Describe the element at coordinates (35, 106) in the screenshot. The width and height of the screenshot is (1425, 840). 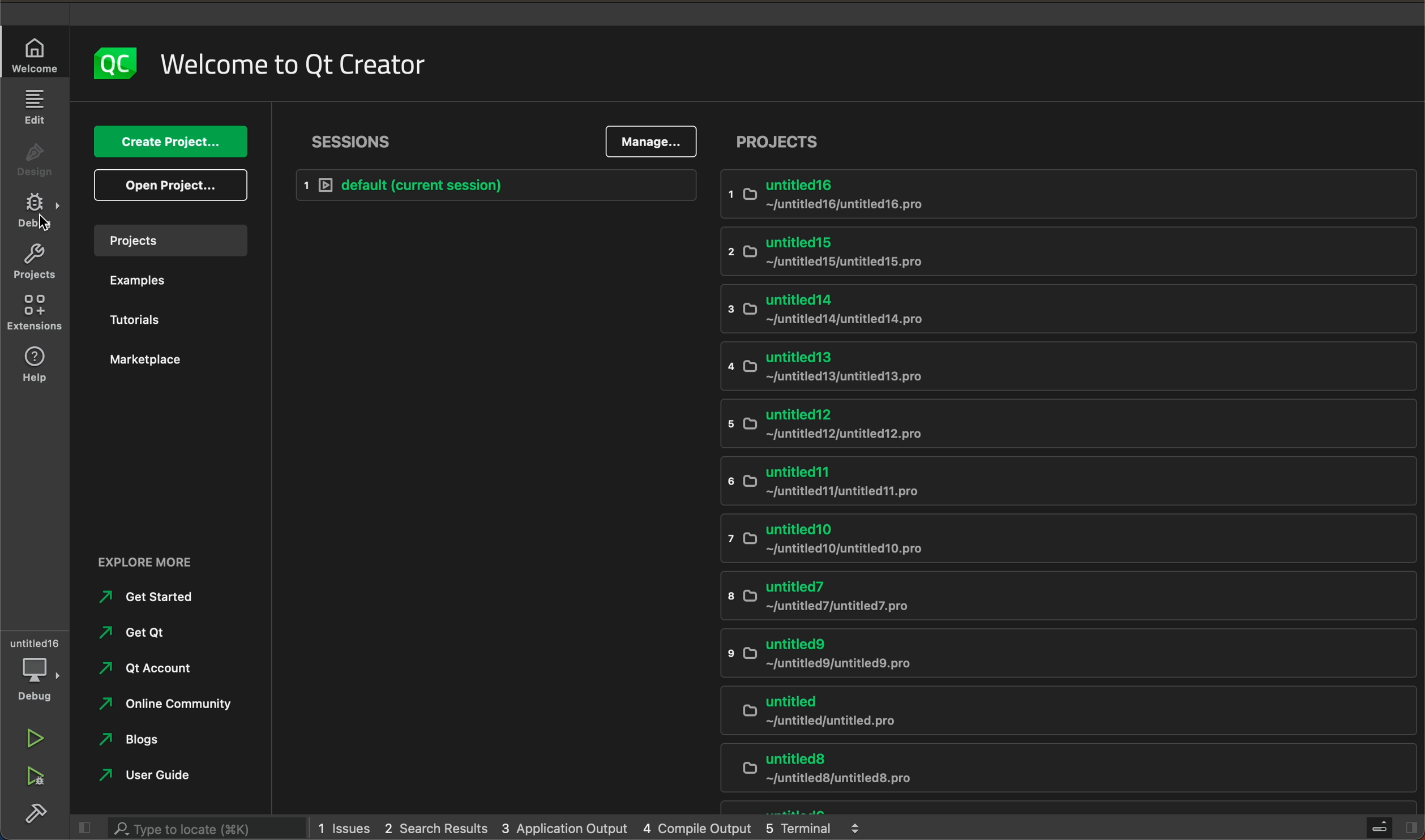
I see `edit` at that location.